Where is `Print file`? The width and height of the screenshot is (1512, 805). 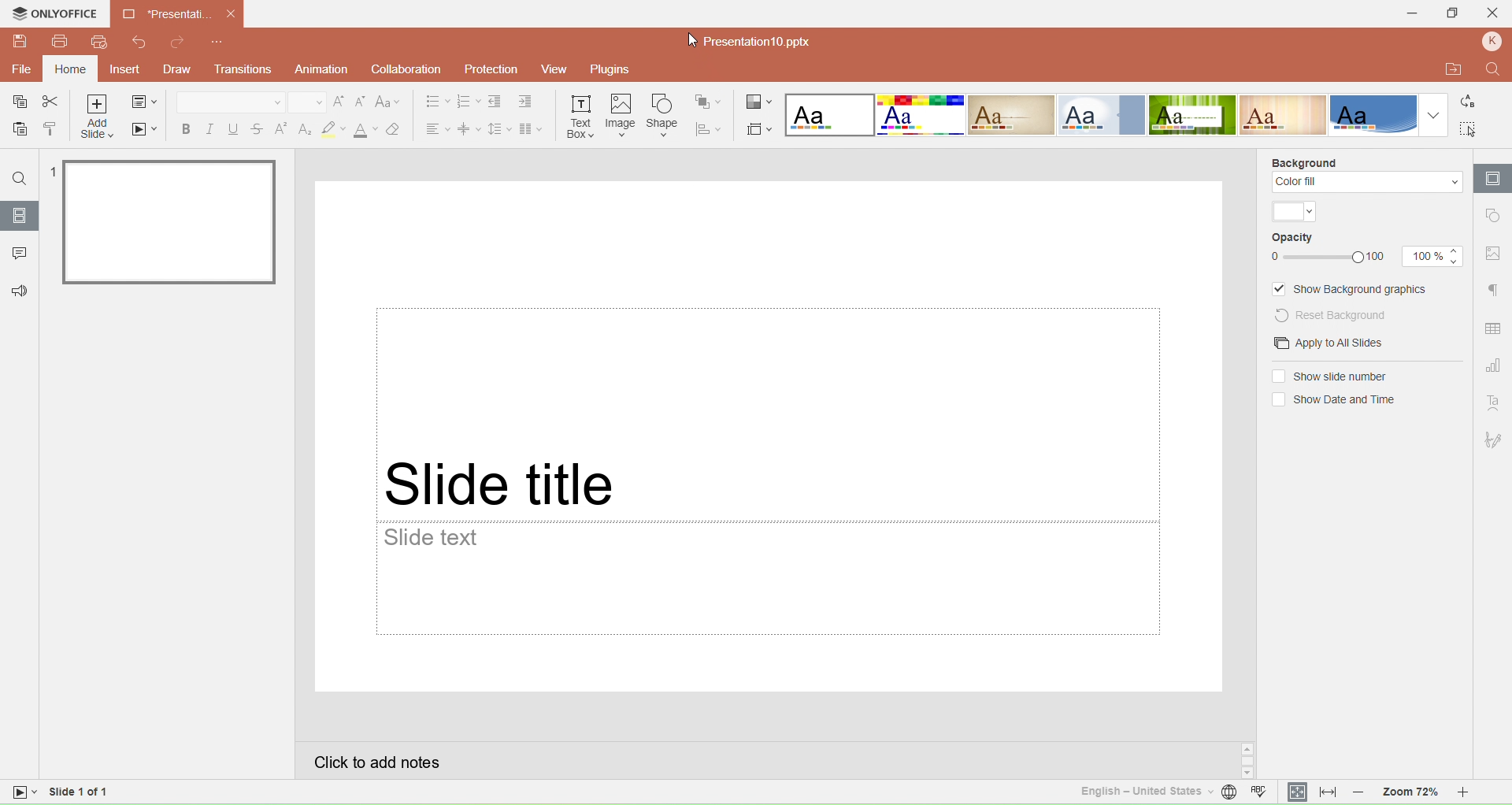
Print file is located at coordinates (61, 44).